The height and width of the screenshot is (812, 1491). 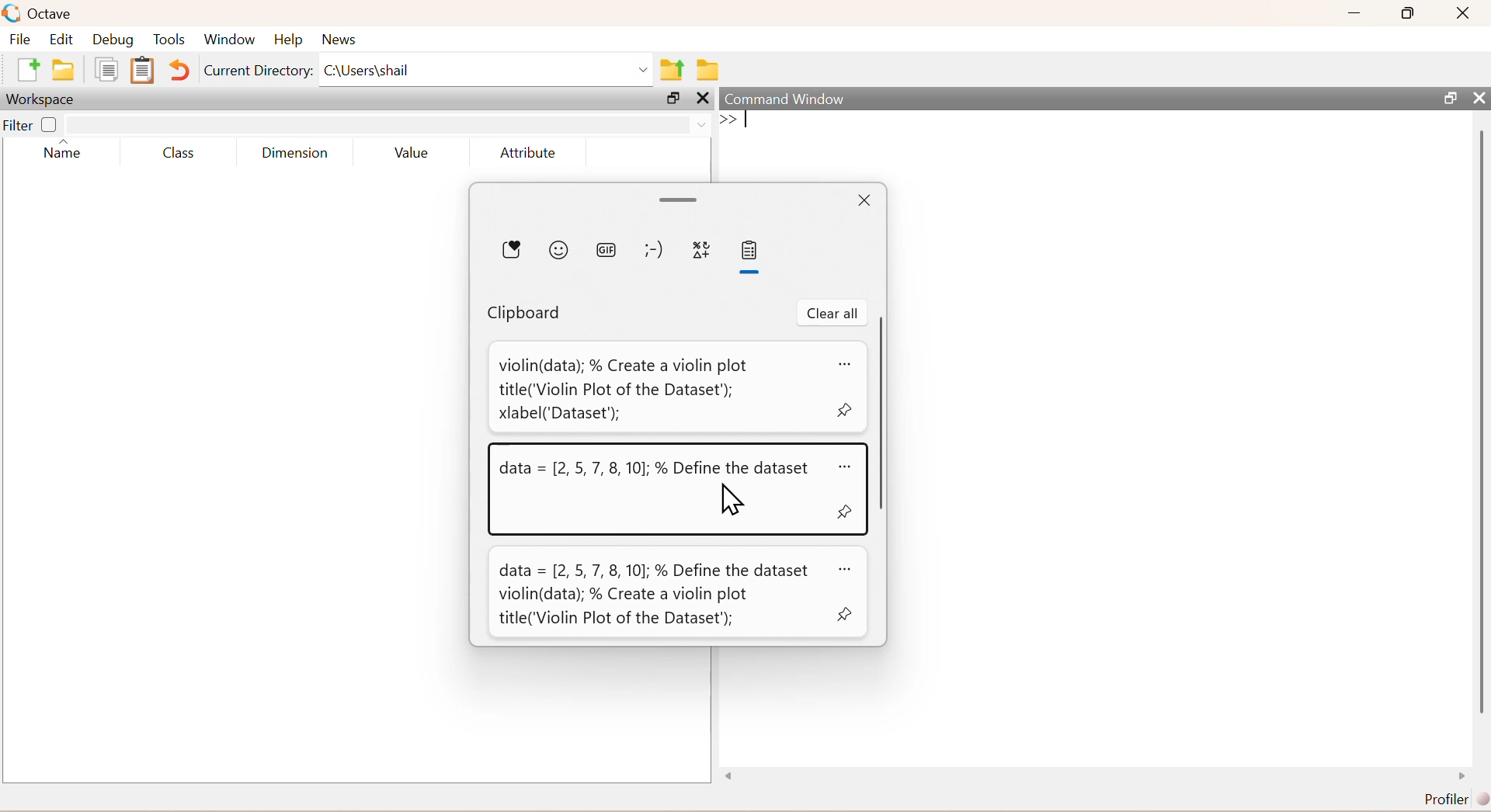 What do you see at coordinates (30, 69) in the screenshot?
I see `add file` at bounding box center [30, 69].